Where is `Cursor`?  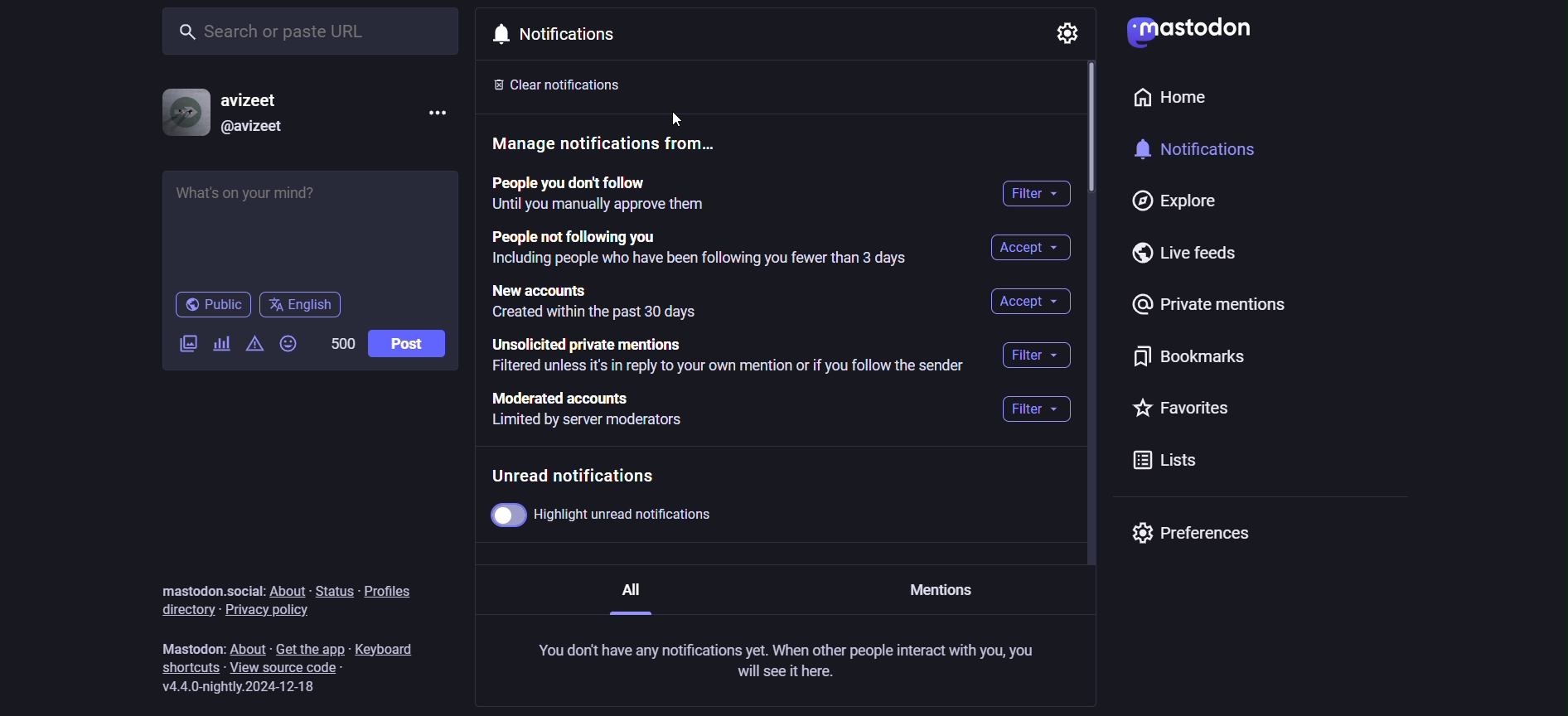
Cursor is located at coordinates (690, 114).